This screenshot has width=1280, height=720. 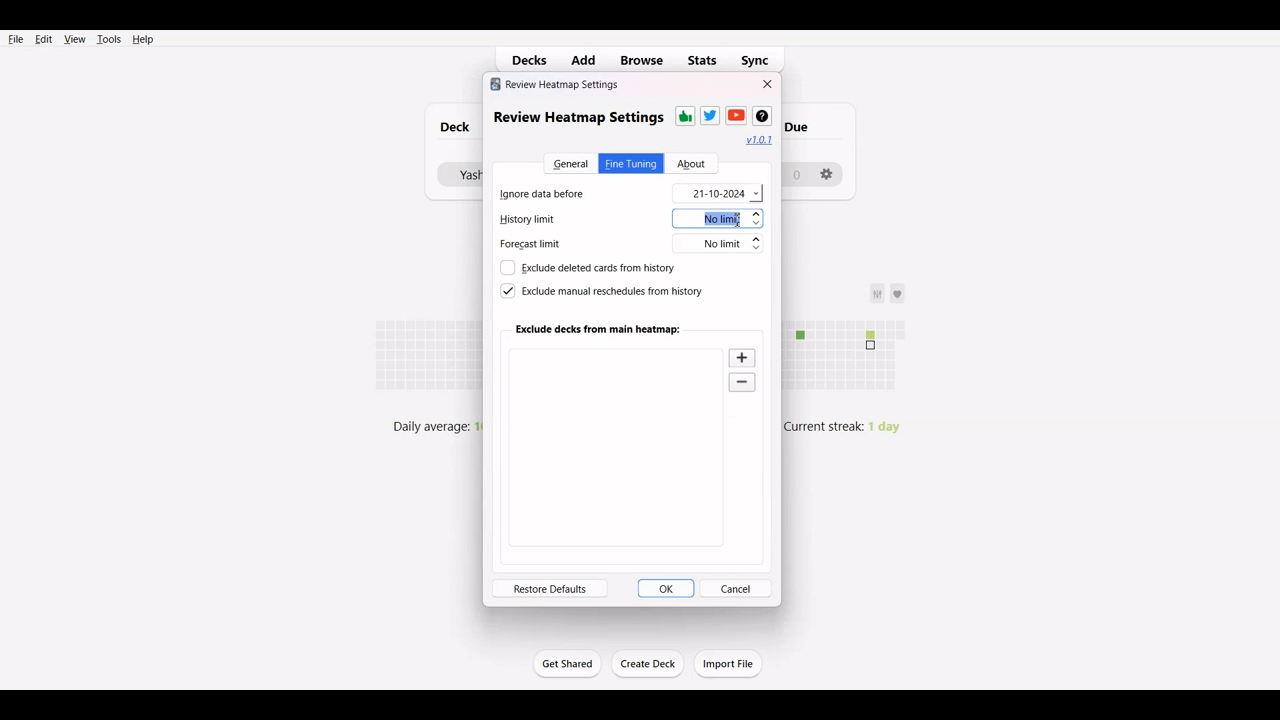 What do you see at coordinates (768, 84) in the screenshot?
I see `Close` at bounding box center [768, 84].